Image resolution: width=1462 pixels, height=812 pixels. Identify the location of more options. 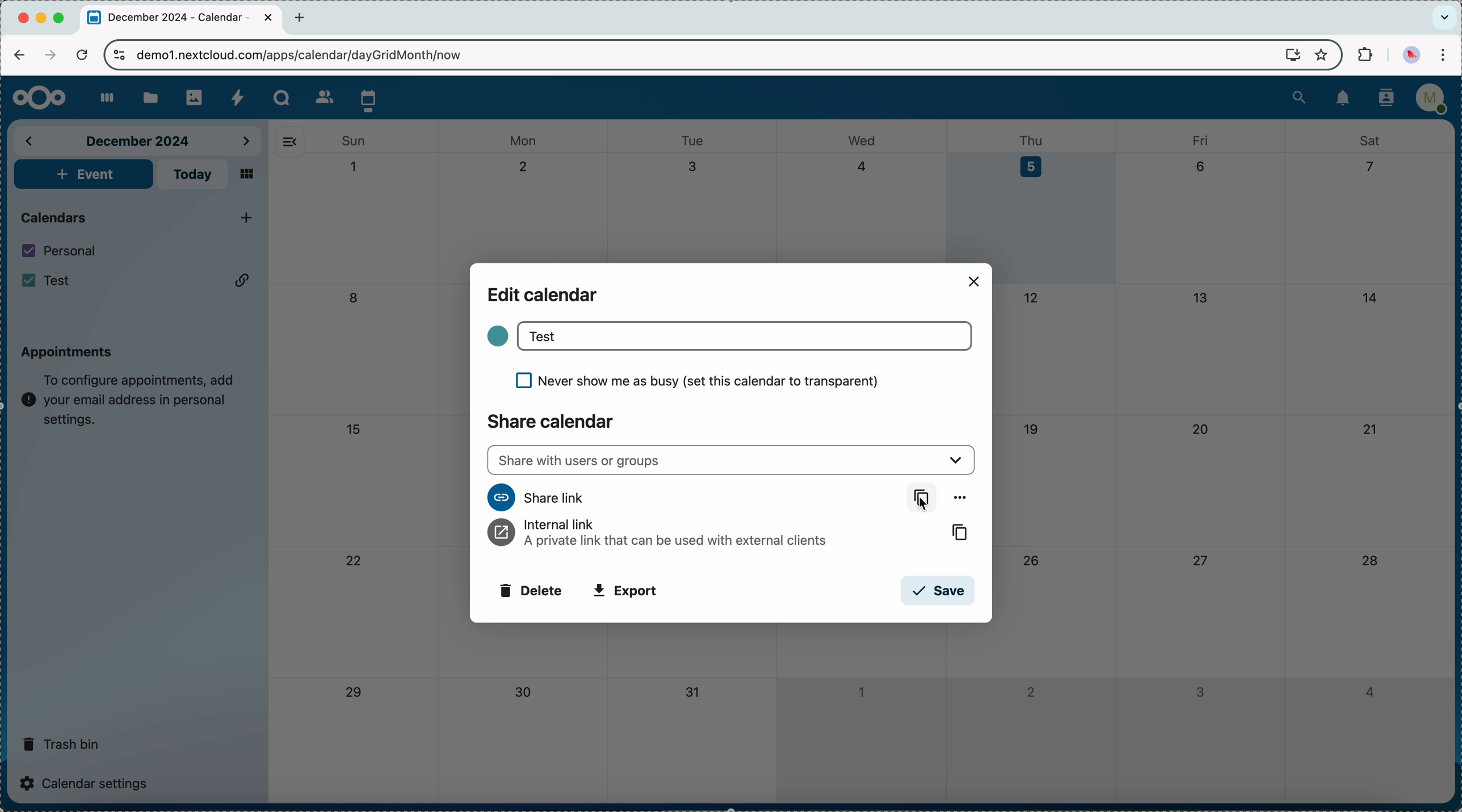
(959, 498).